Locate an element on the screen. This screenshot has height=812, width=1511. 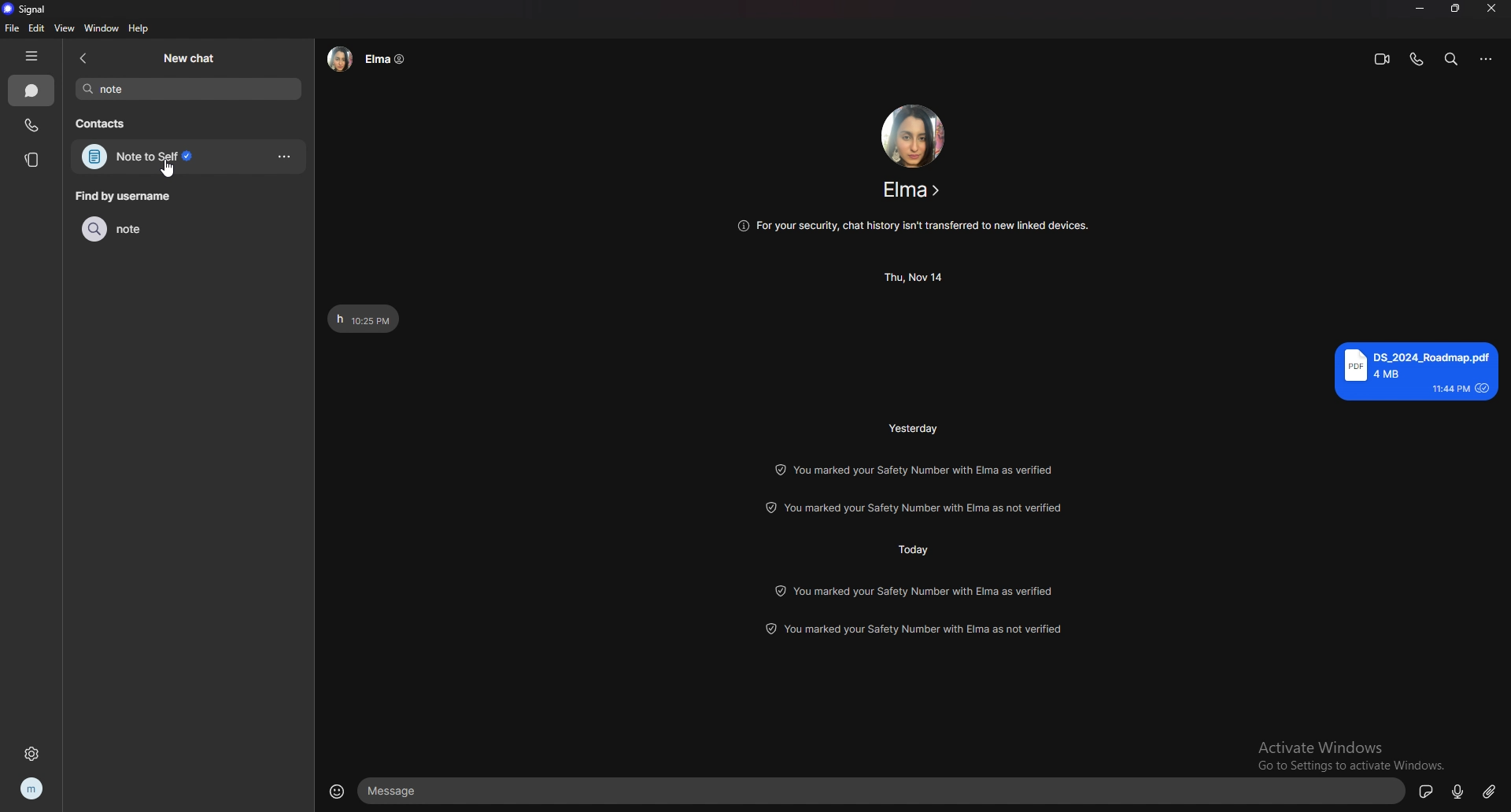
chats is located at coordinates (31, 90).